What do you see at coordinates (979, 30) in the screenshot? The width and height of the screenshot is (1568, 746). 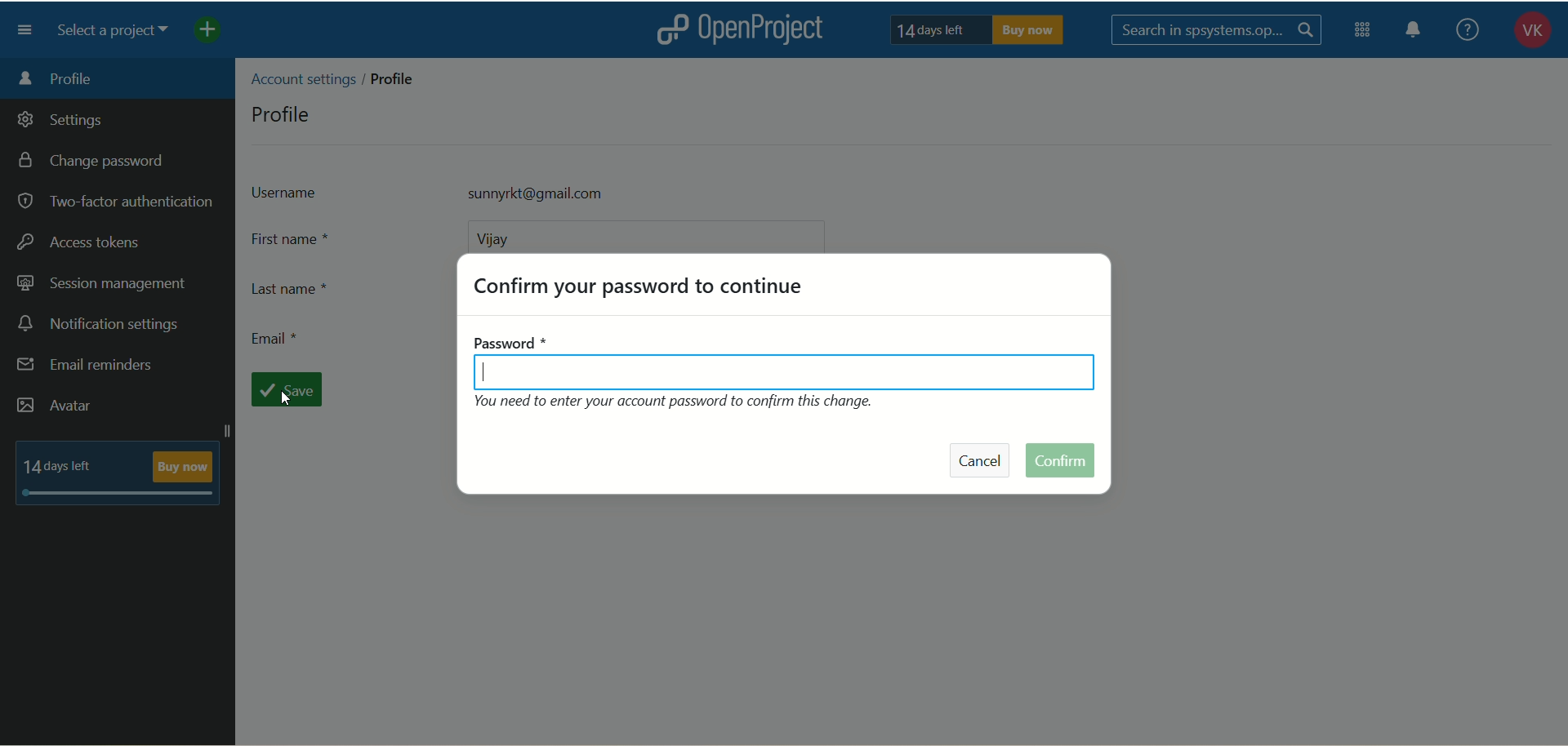 I see `text` at bounding box center [979, 30].